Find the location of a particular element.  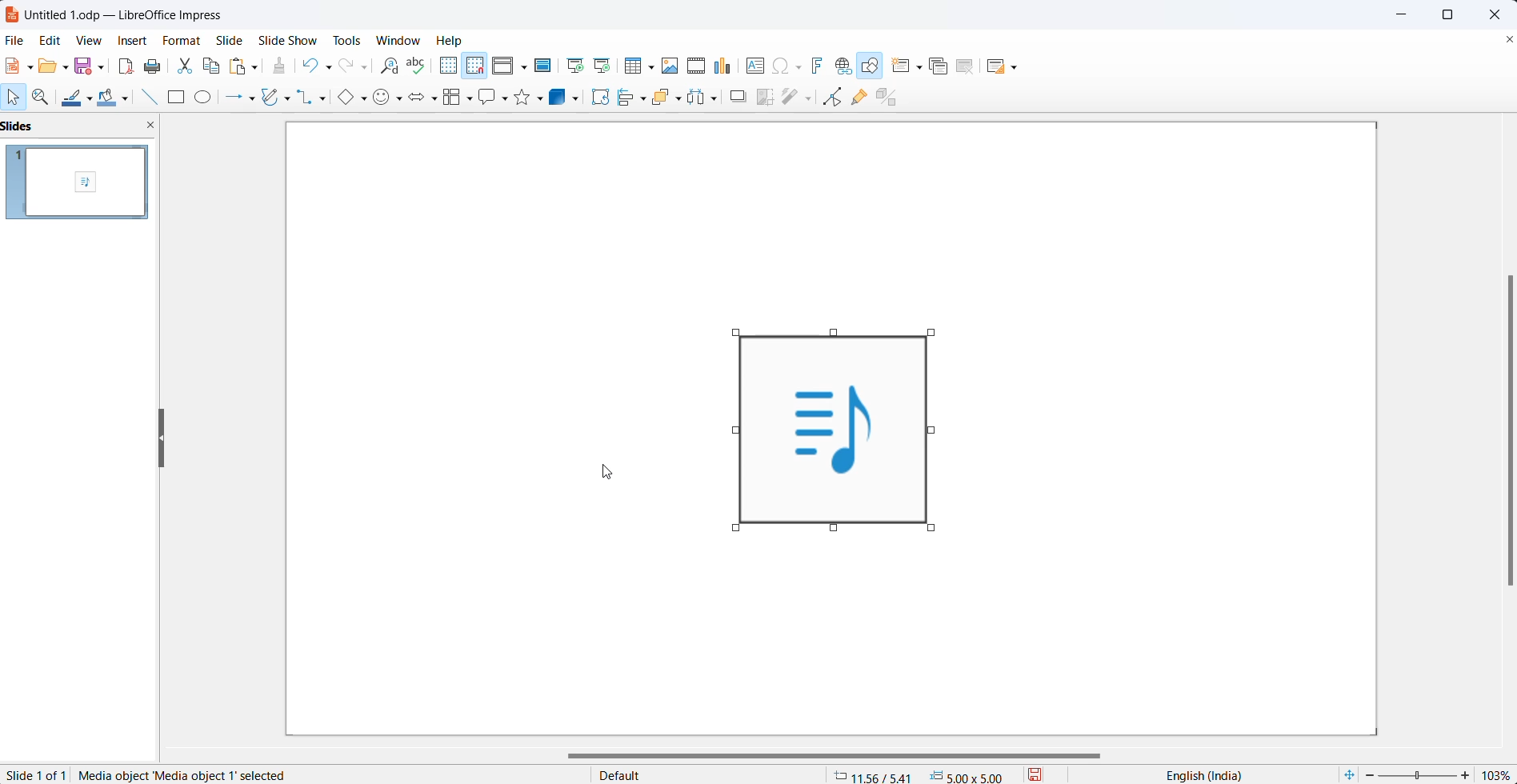

block arrows is located at coordinates (419, 99).